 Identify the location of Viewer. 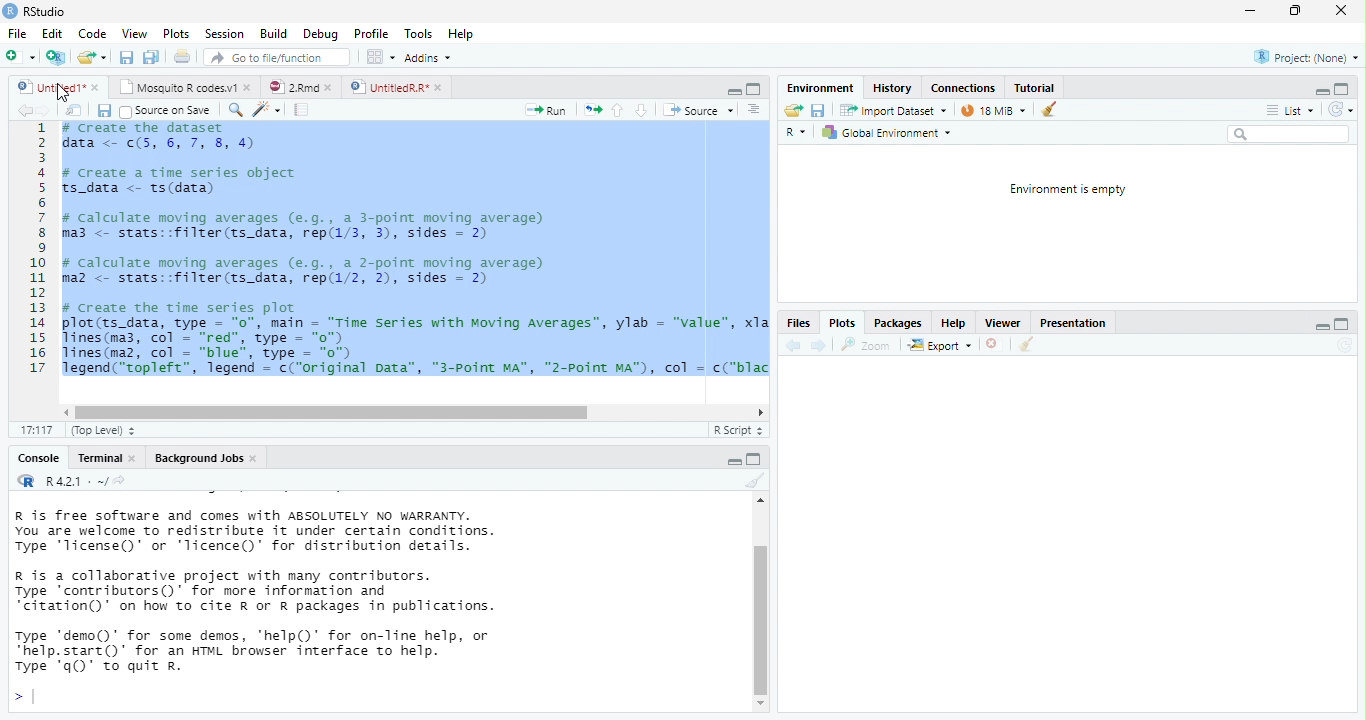
(1002, 323).